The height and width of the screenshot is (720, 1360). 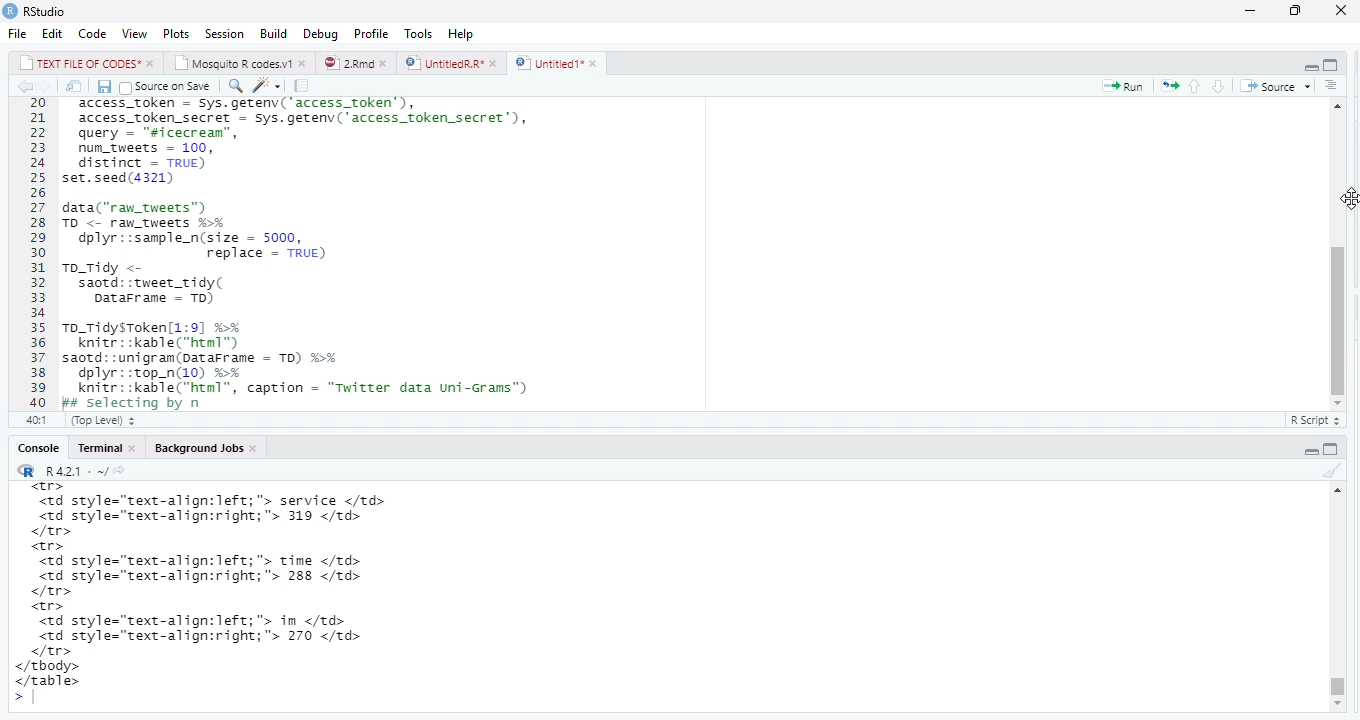 I want to click on © 2”md, so click(x=357, y=64).